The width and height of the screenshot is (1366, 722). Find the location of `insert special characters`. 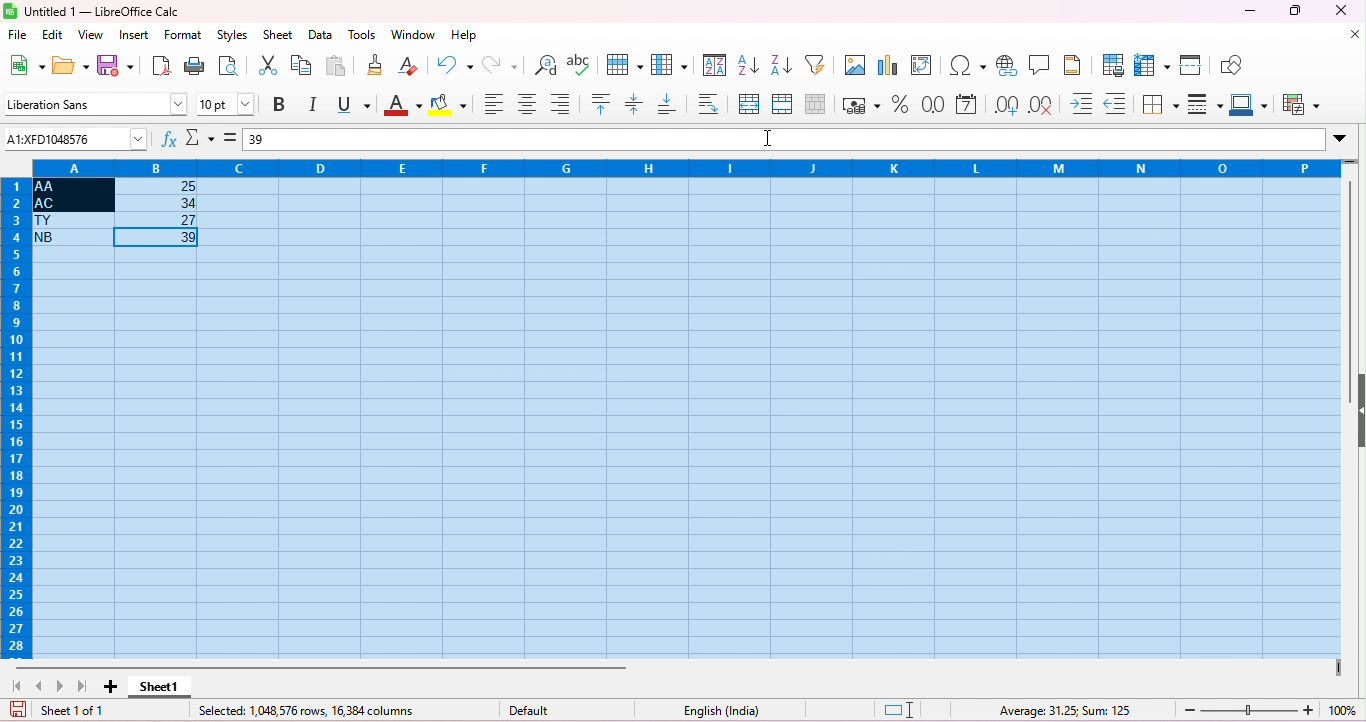

insert special characters is located at coordinates (968, 66).